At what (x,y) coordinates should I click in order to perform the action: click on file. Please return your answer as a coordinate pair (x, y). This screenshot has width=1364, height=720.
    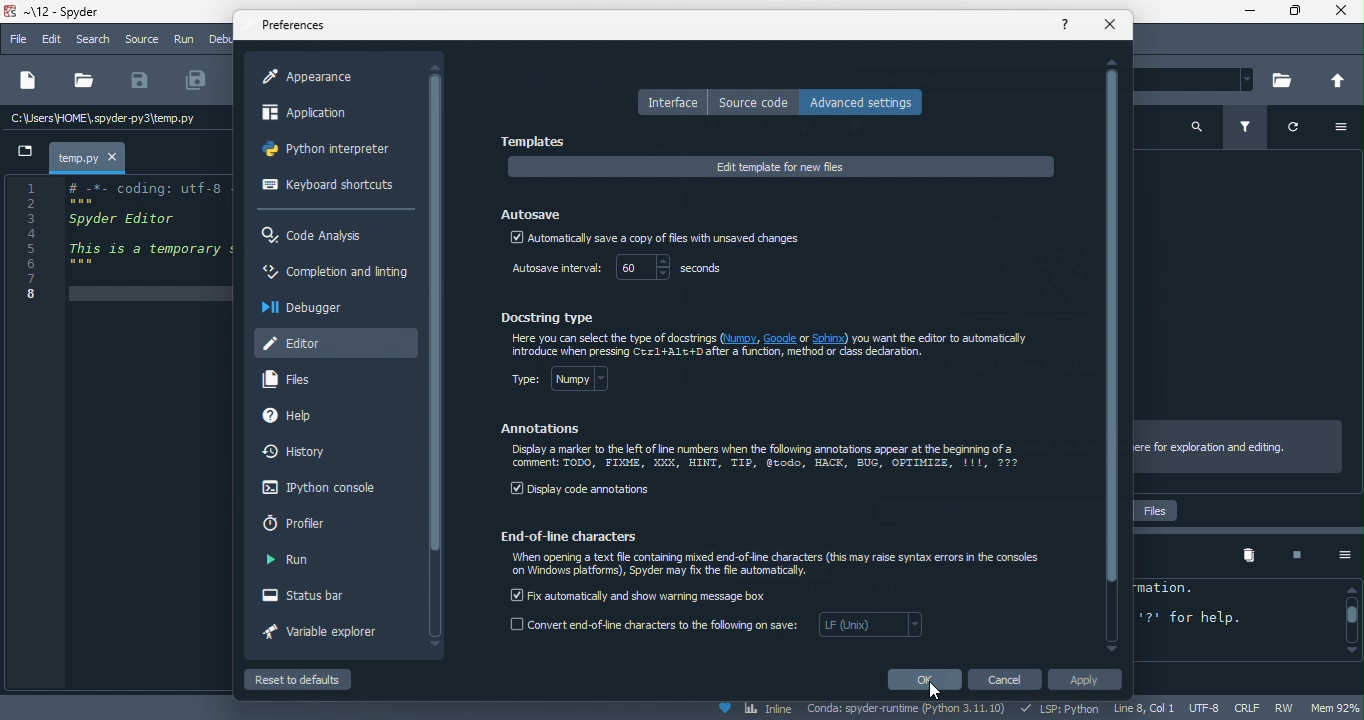
    Looking at the image, I should click on (18, 40).